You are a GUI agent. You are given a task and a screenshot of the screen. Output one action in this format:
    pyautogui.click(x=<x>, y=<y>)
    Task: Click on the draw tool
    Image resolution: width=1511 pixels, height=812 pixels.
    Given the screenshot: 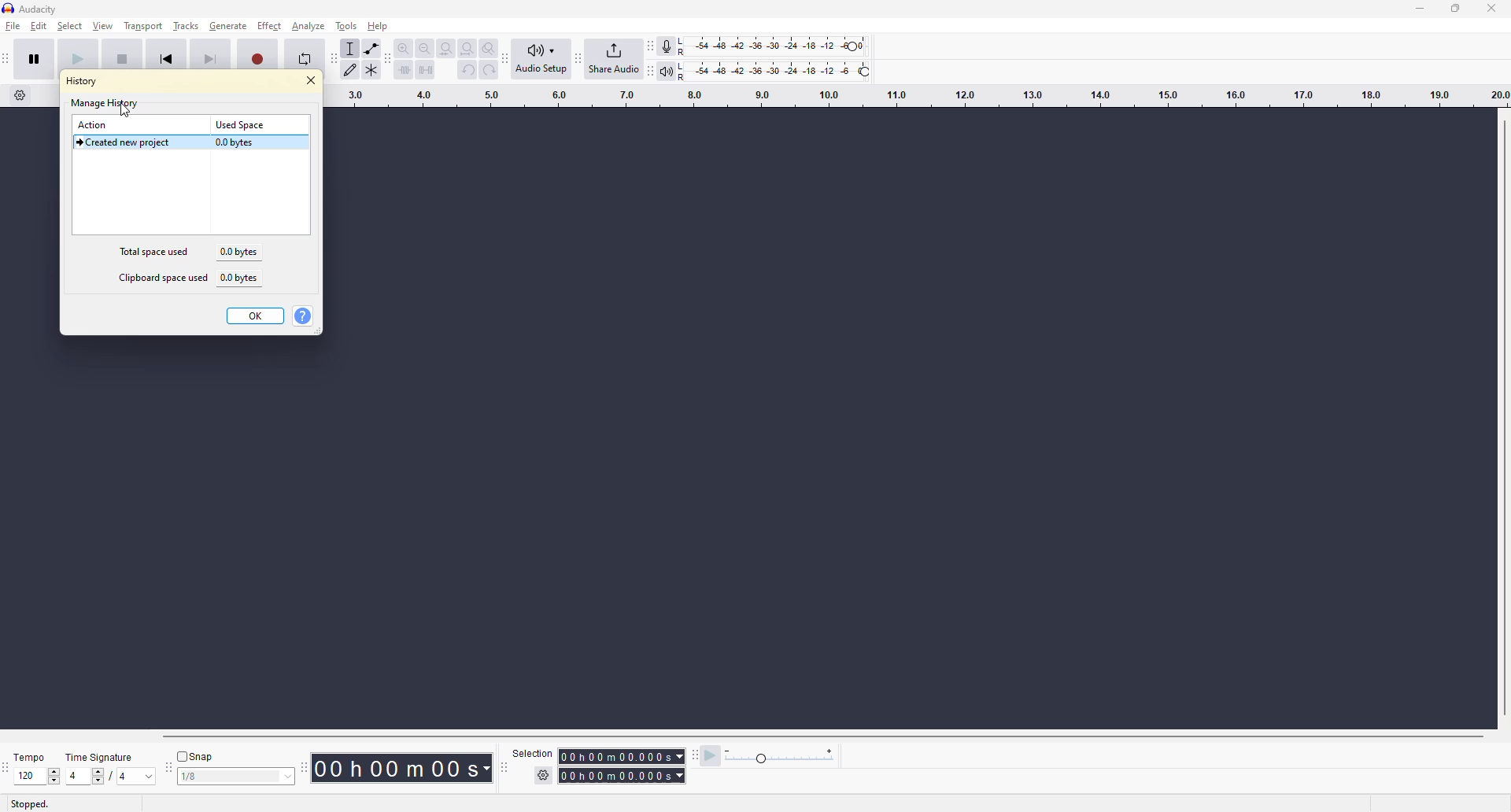 What is the action you would take?
    pyautogui.click(x=354, y=72)
    